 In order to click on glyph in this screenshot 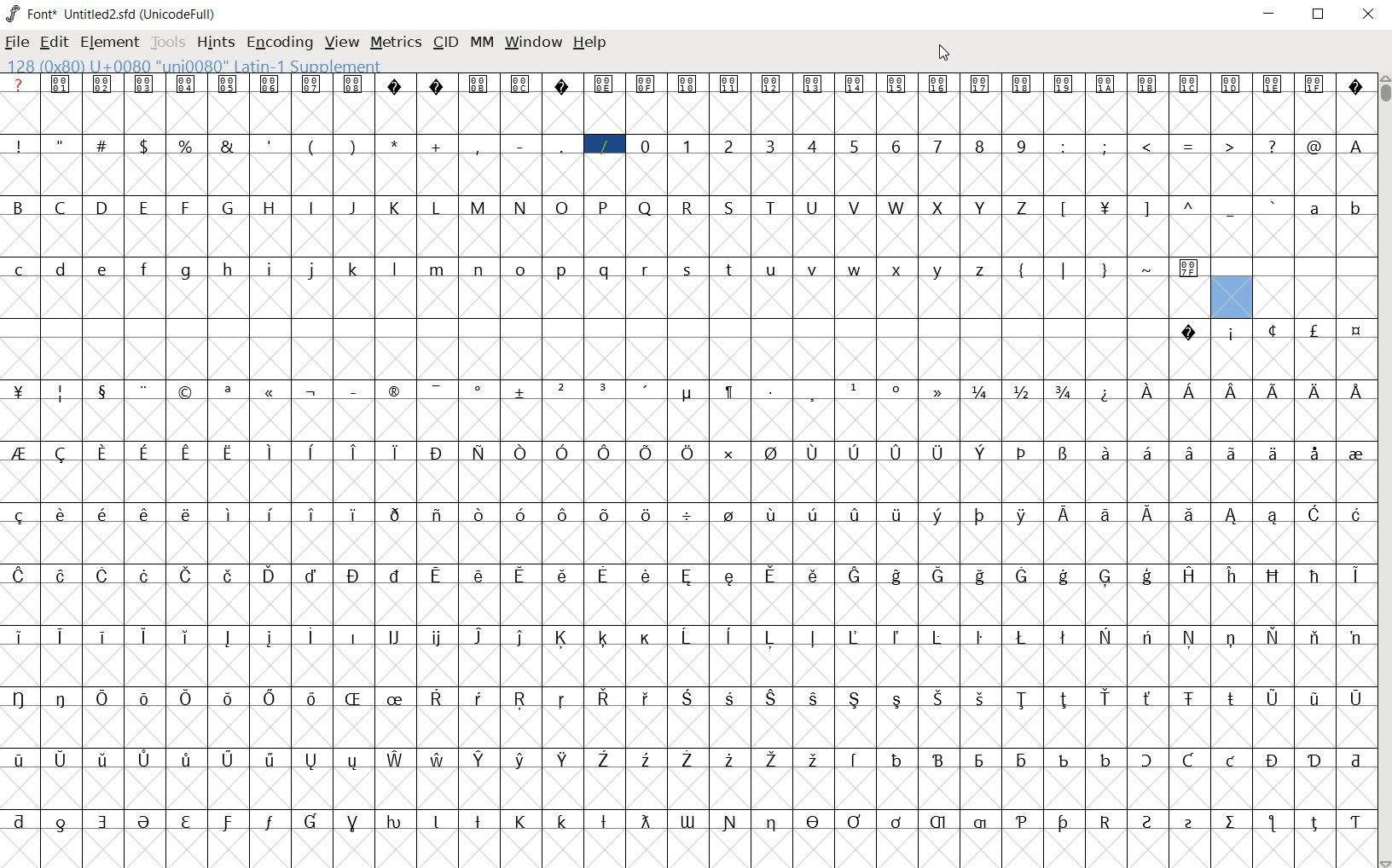, I will do `click(1023, 761)`.